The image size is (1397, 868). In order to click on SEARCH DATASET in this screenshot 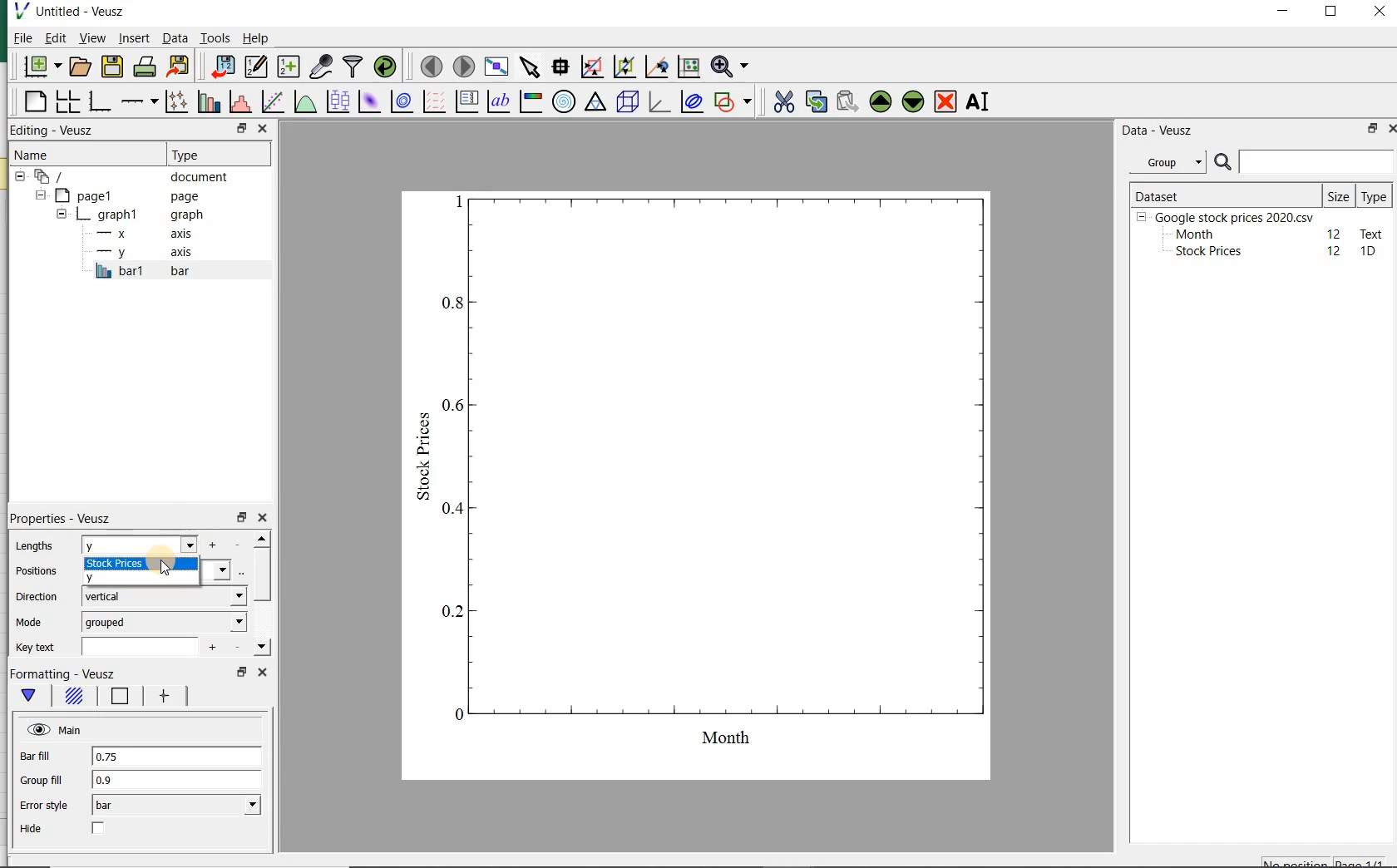, I will do `click(1304, 161)`.